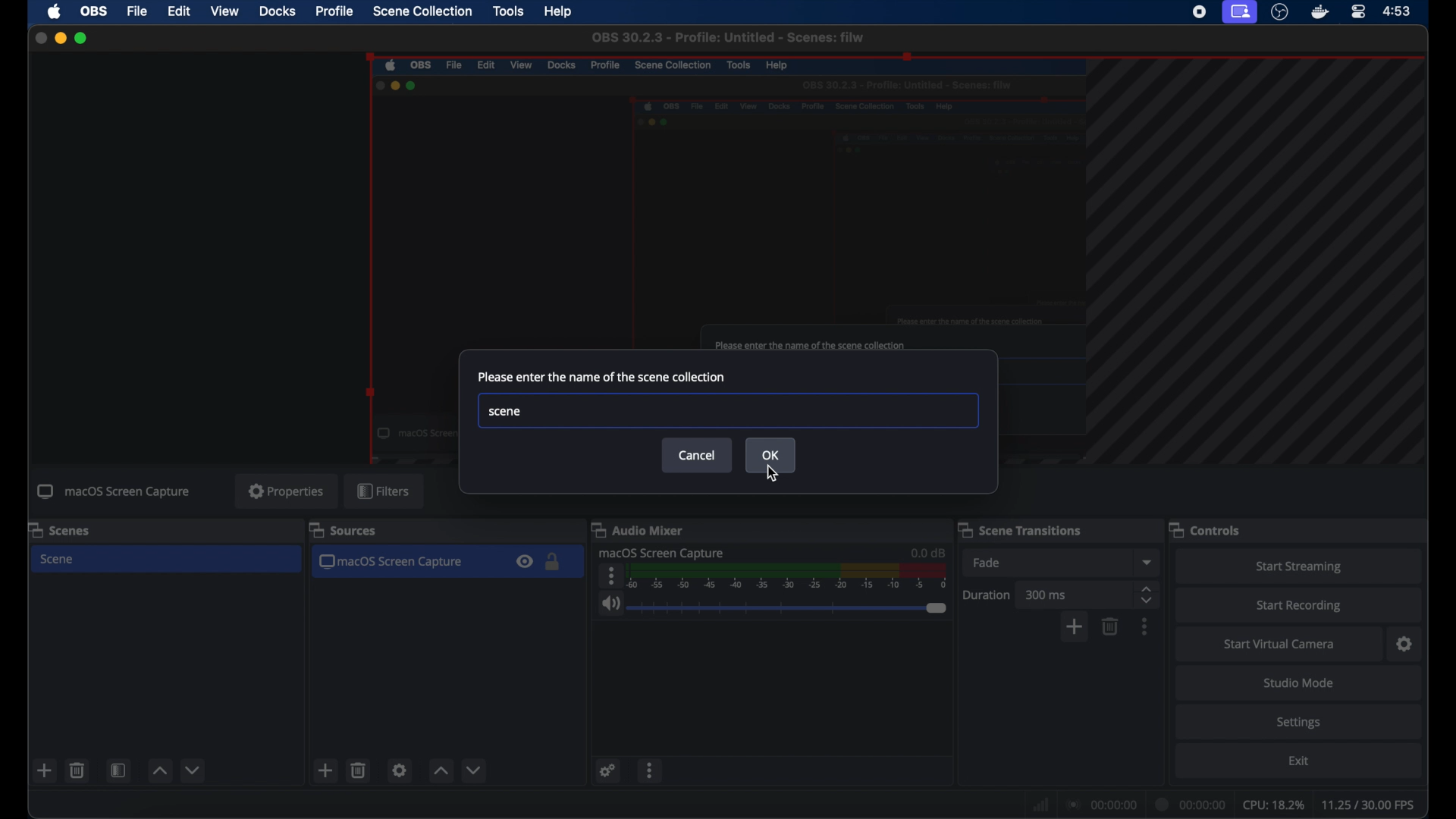 This screenshot has height=819, width=1456. I want to click on scenes, so click(61, 529).